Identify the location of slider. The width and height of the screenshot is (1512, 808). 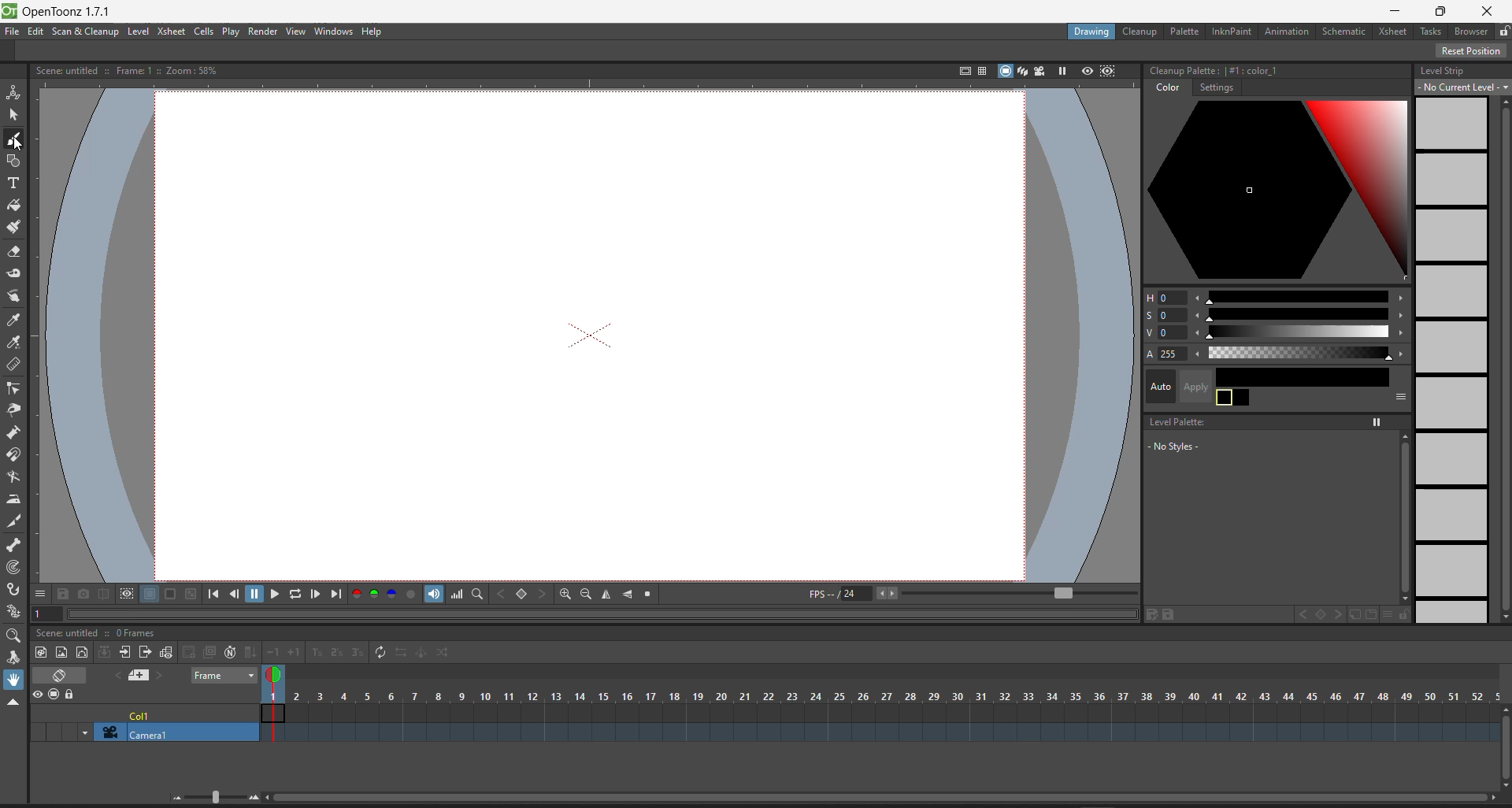
(1297, 315).